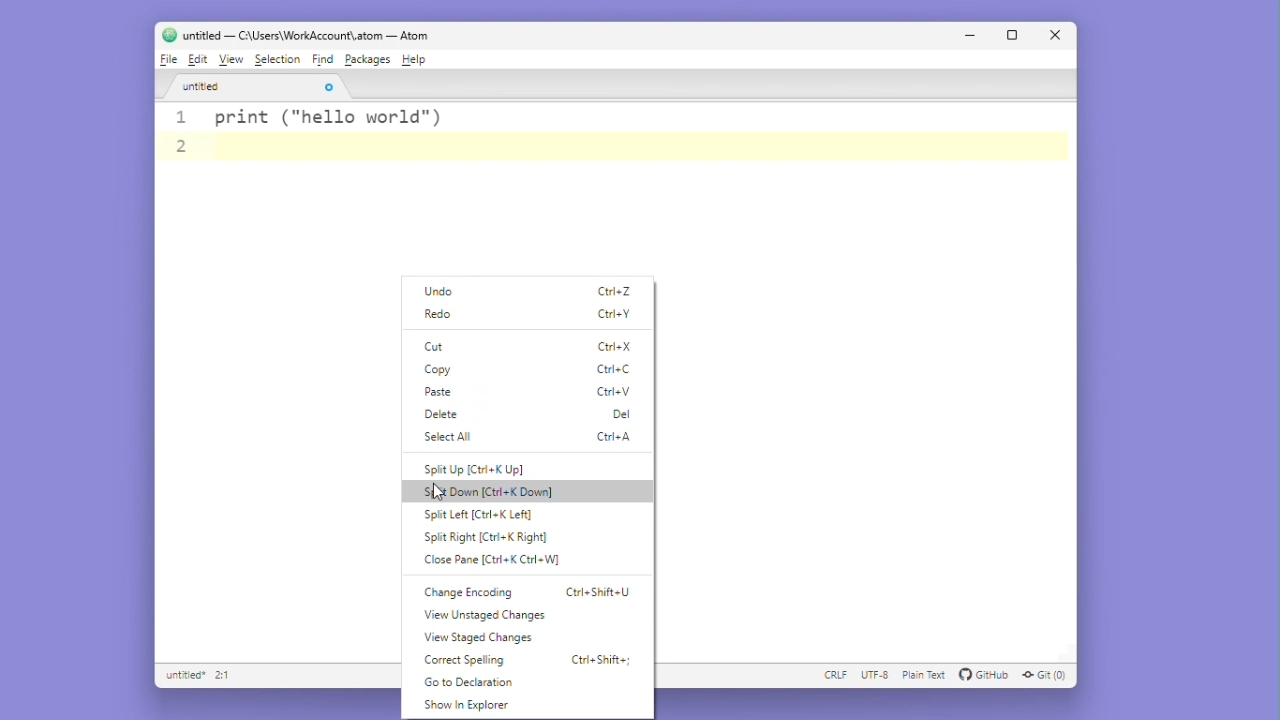  I want to click on 2:1, so click(224, 676).